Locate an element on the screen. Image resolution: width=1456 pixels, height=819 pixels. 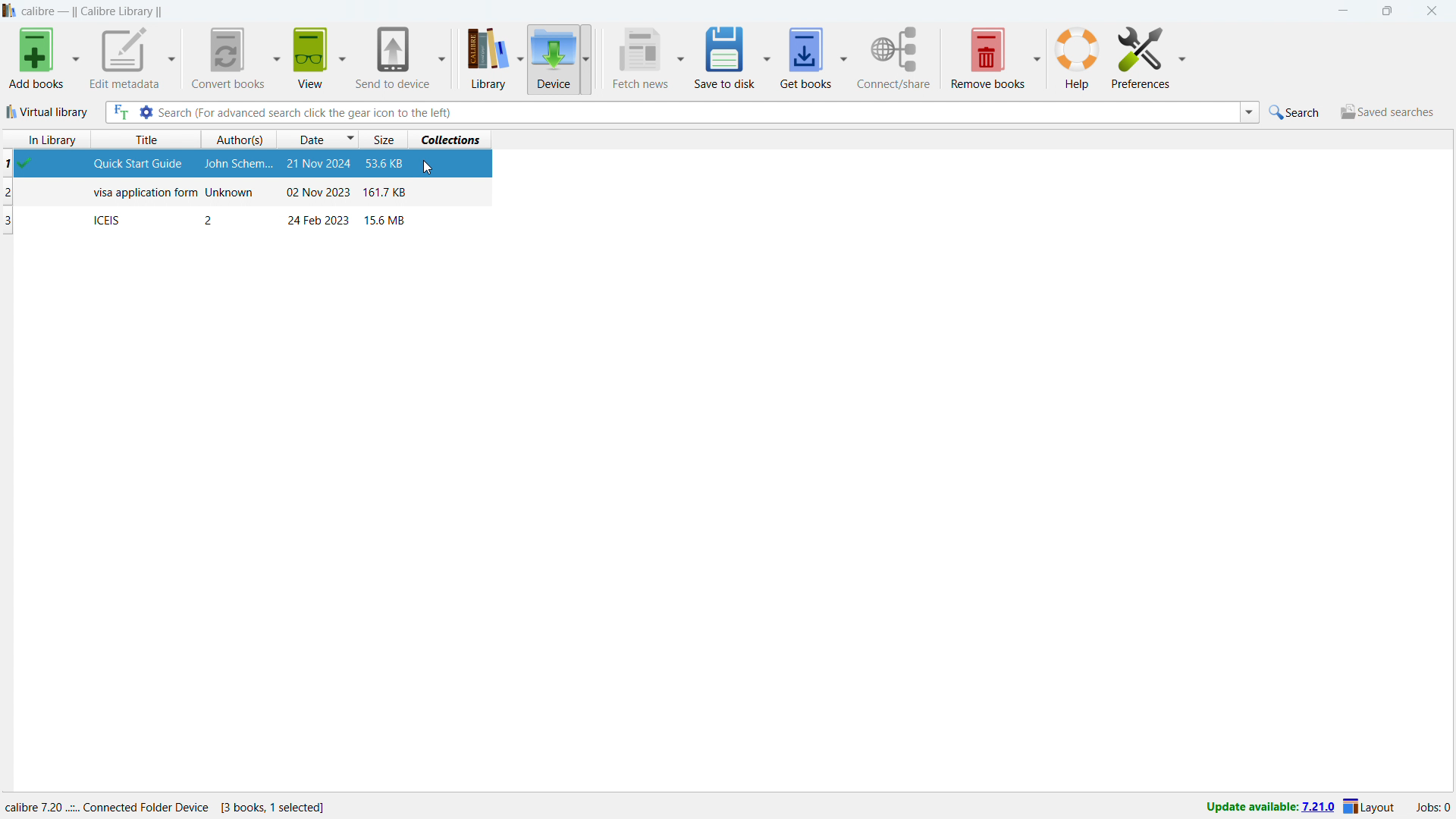
connect/share is located at coordinates (894, 58).